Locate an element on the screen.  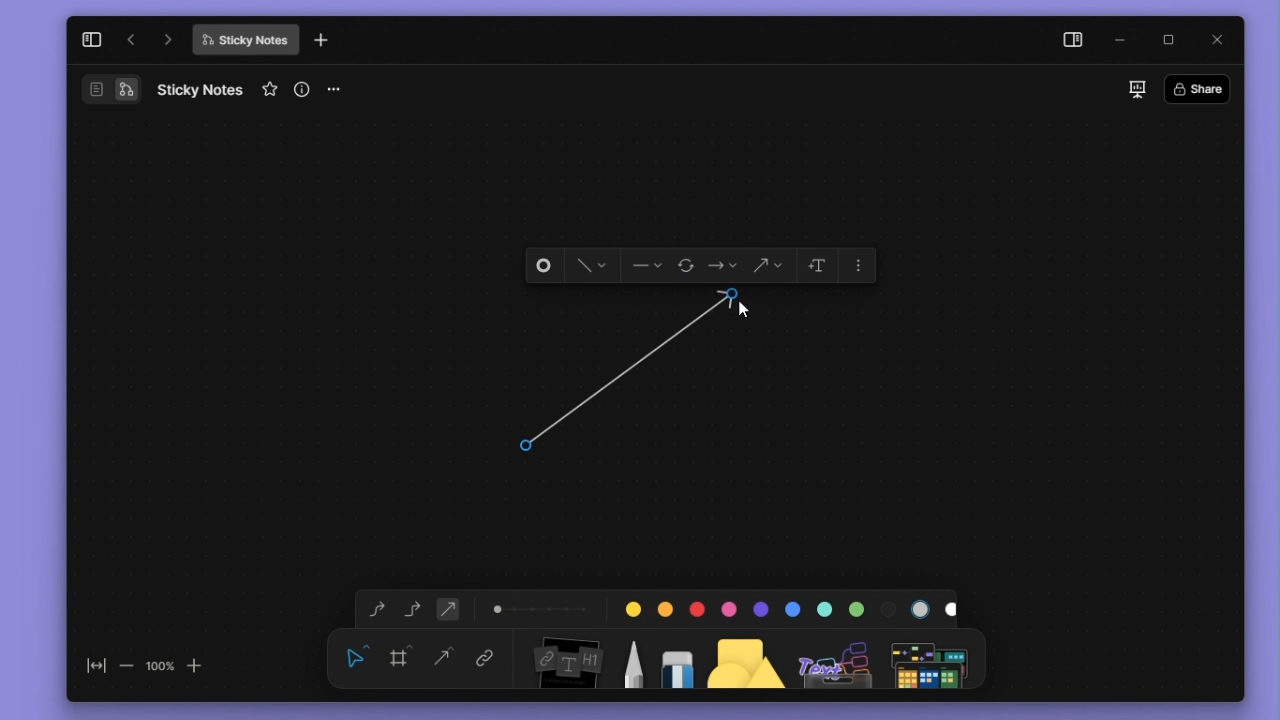
collapse sidebar is located at coordinates (91, 39).